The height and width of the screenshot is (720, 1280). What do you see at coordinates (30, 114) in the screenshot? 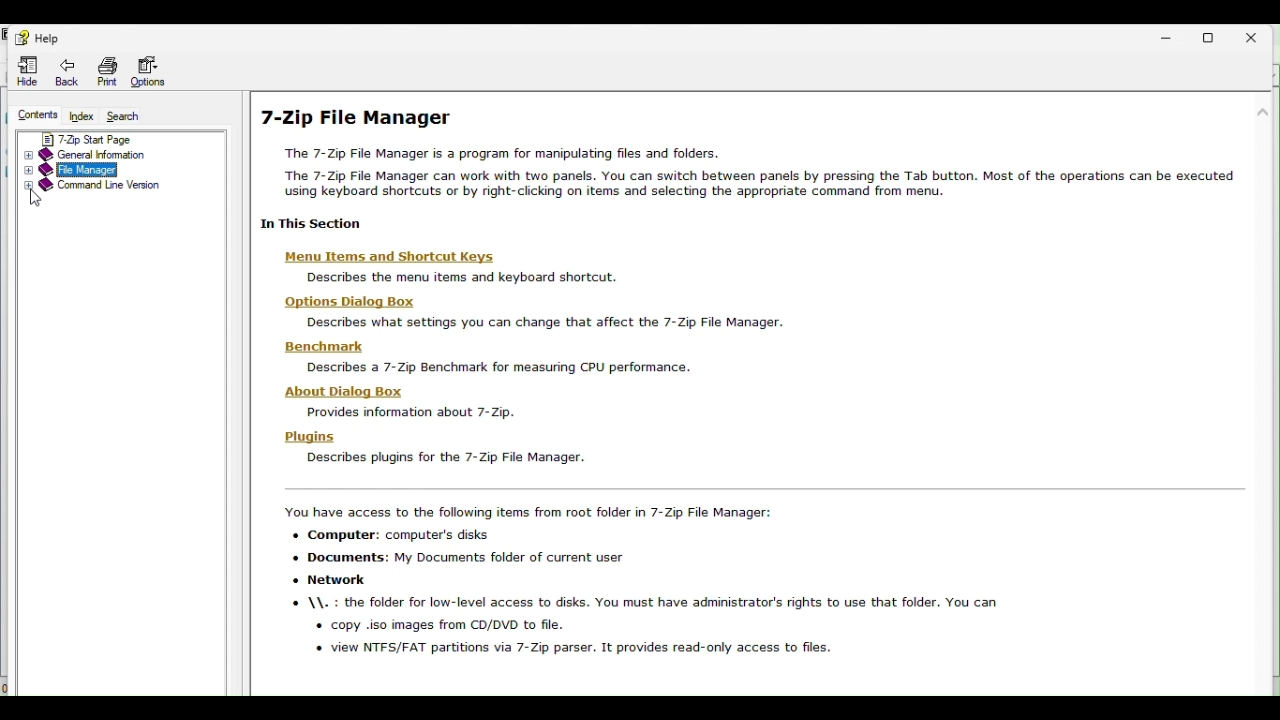
I see `Contents` at bounding box center [30, 114].